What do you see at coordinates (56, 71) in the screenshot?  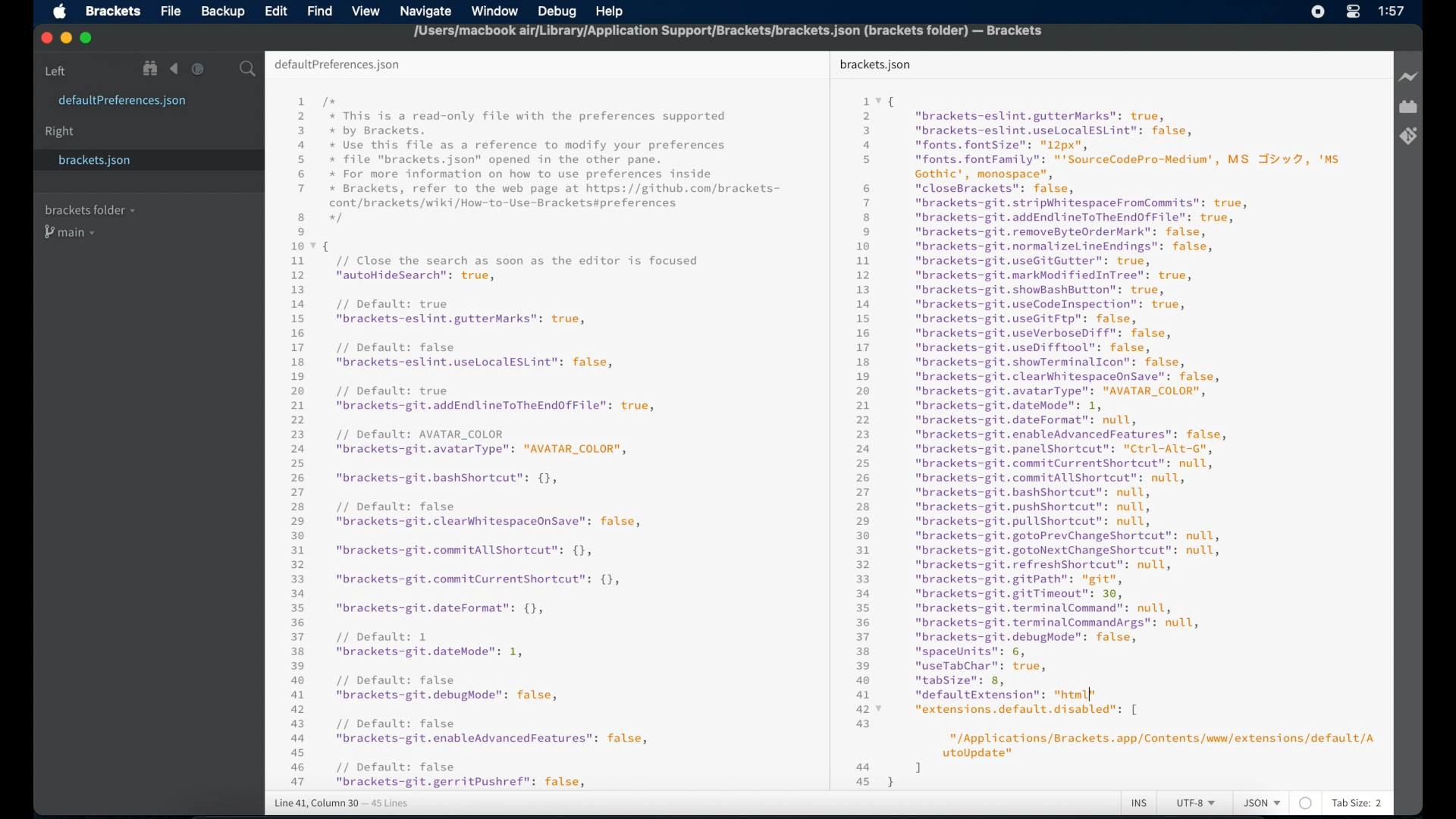 I see `left` at bounding box center [56, 71].